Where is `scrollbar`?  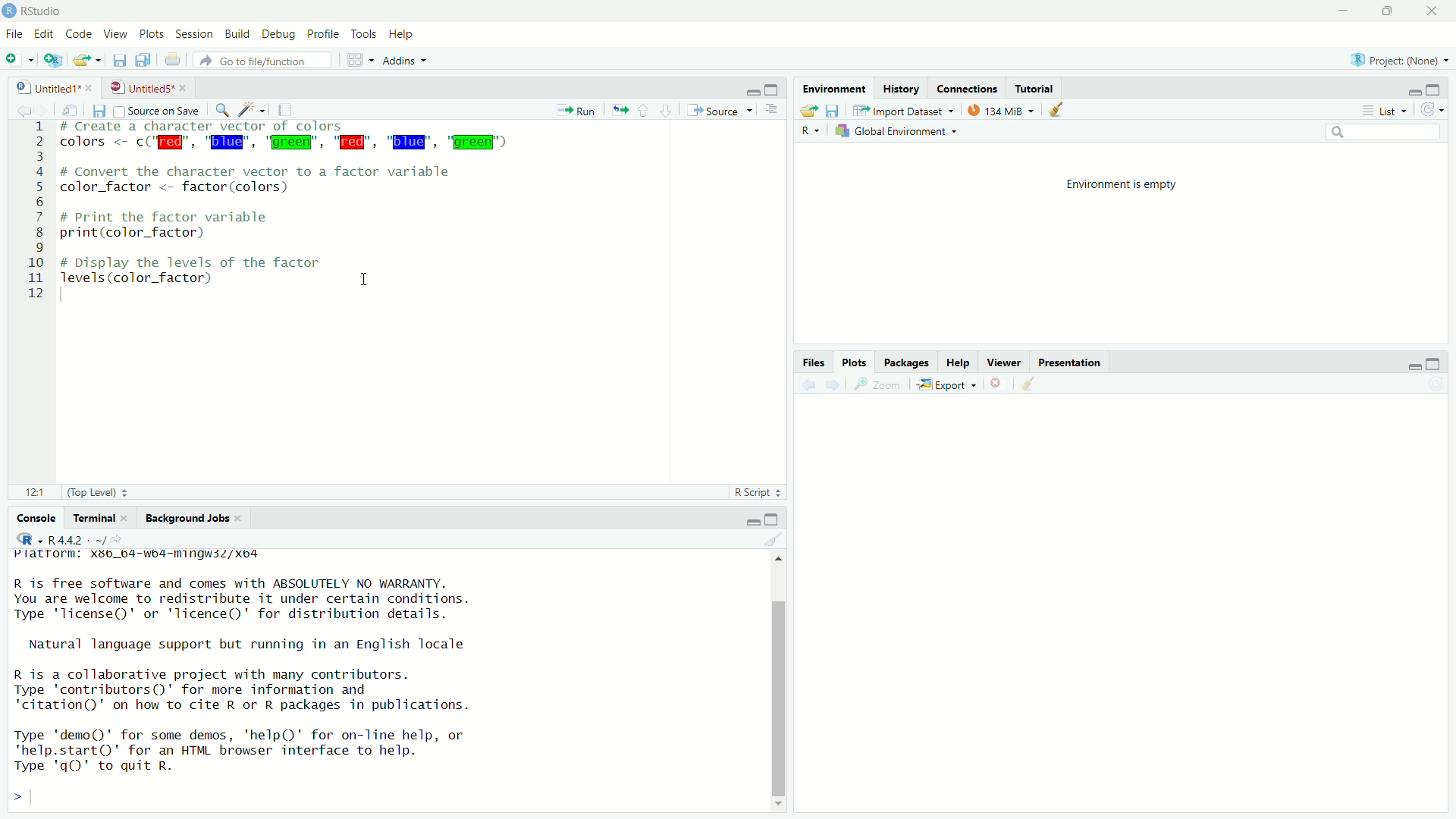
scrollbar is located at coordinates (781, 685).